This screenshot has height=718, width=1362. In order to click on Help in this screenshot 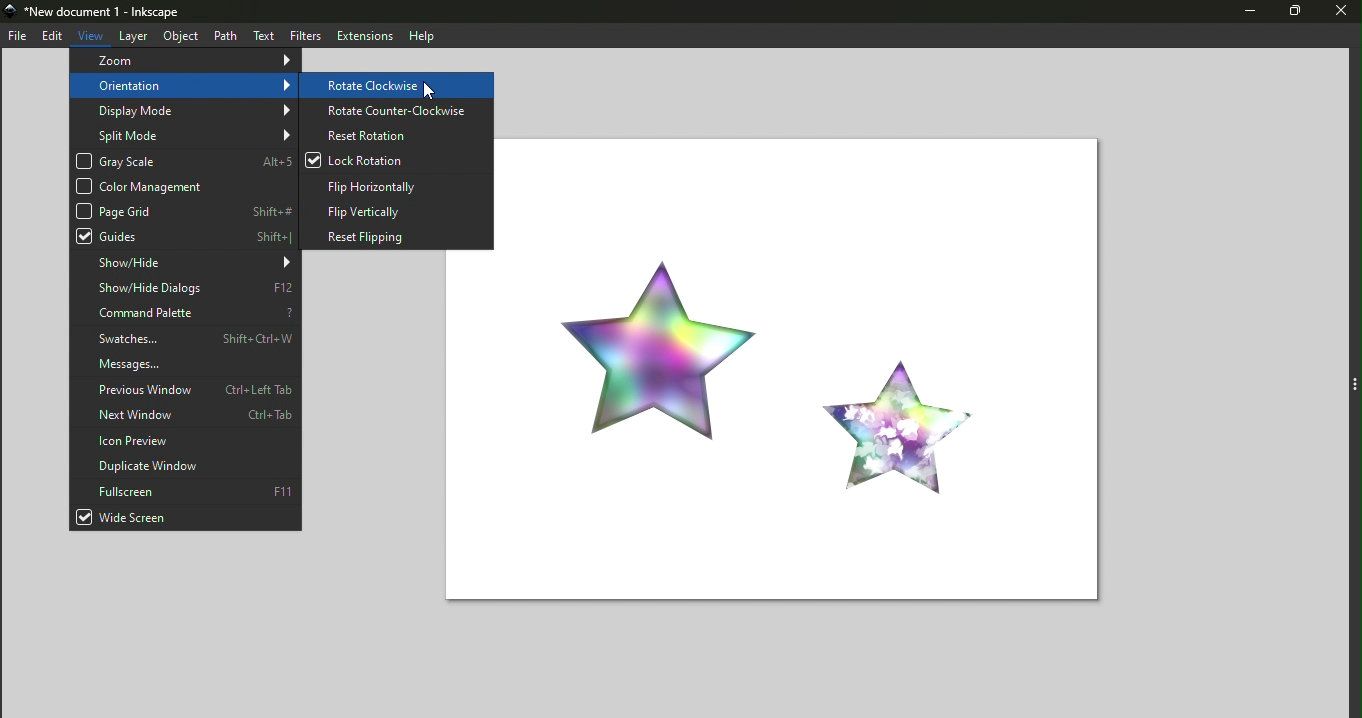, I will do `click(423, 35)`.